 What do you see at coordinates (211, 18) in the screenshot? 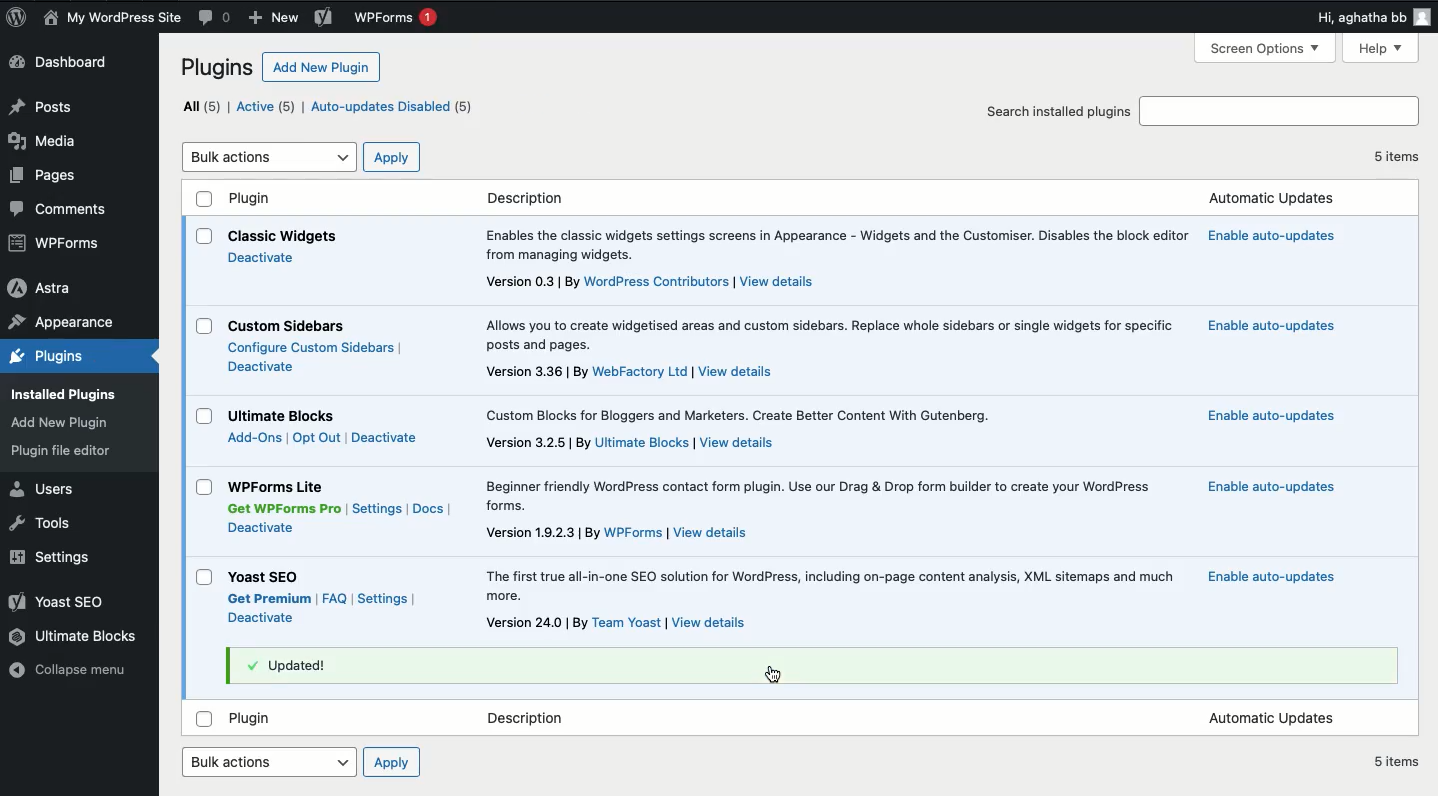
I see `Revisions` at bounding box center [211, 18].